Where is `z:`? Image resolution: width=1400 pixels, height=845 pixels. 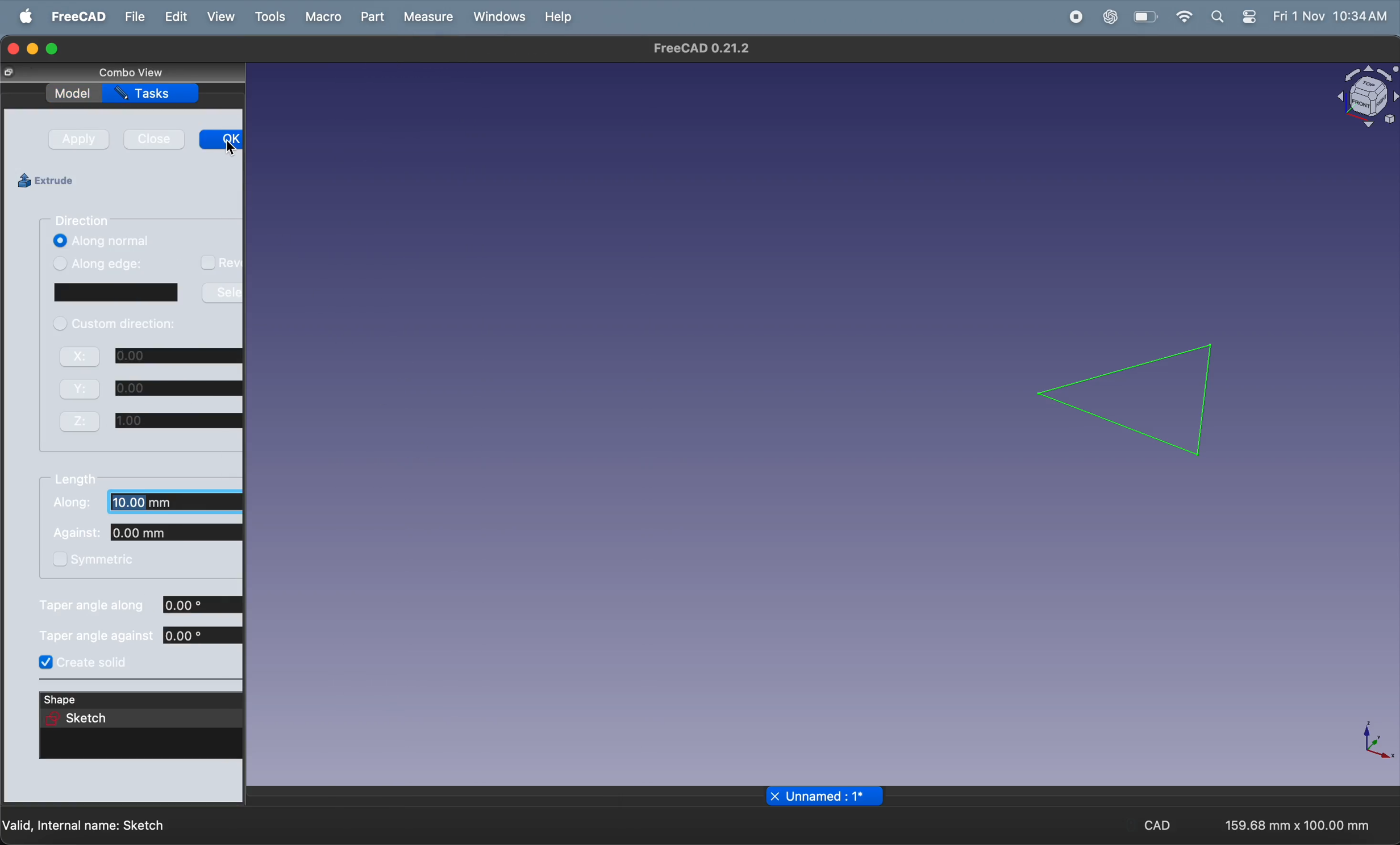 z: is located at coordinates (81, 421).